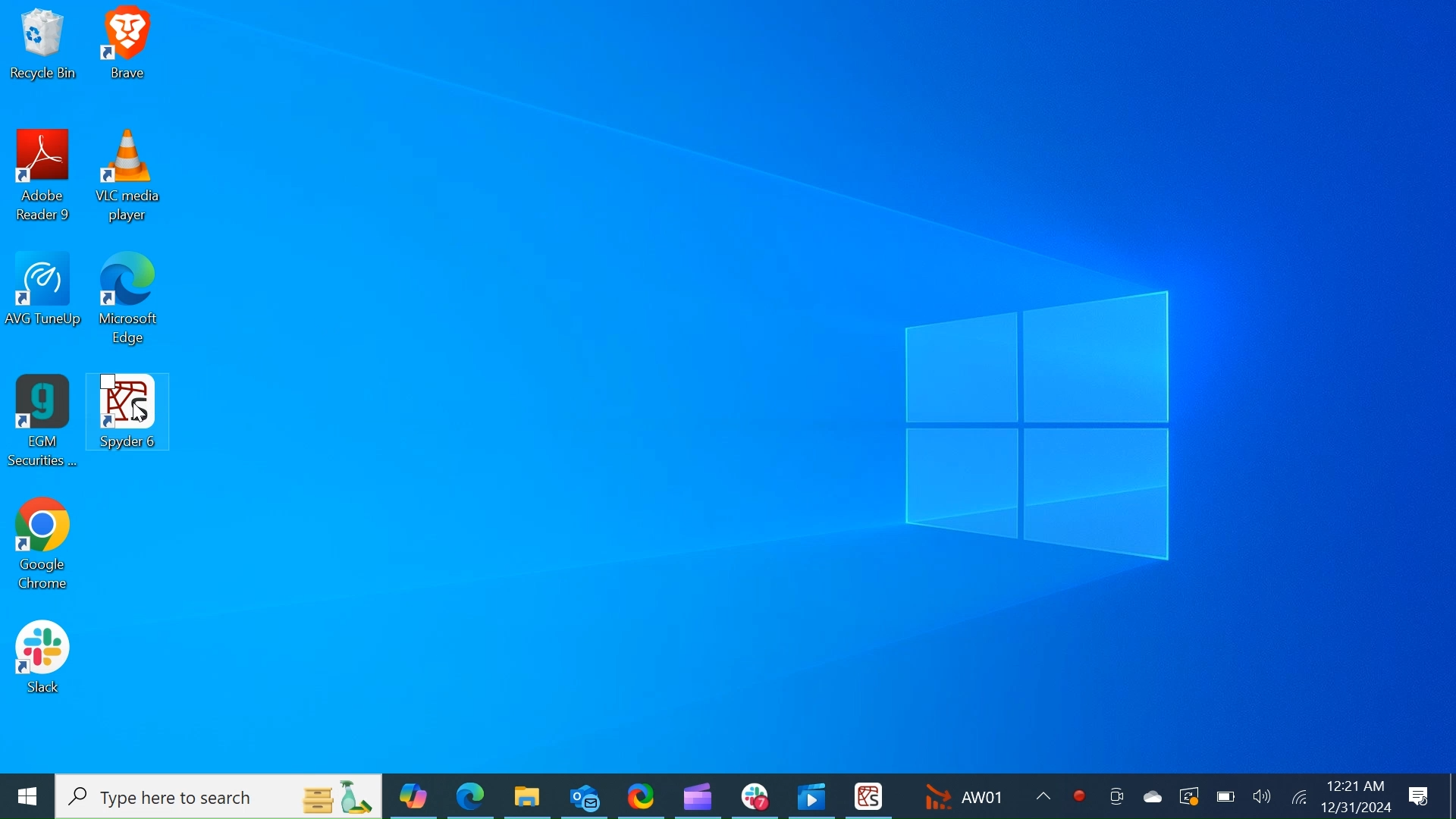 This screenshot has width=1456, height=819. What do you see at coordinates (755, 795) in the screenshot?
I see `Slack Desktop Icon` at bounding box center [755, 795].